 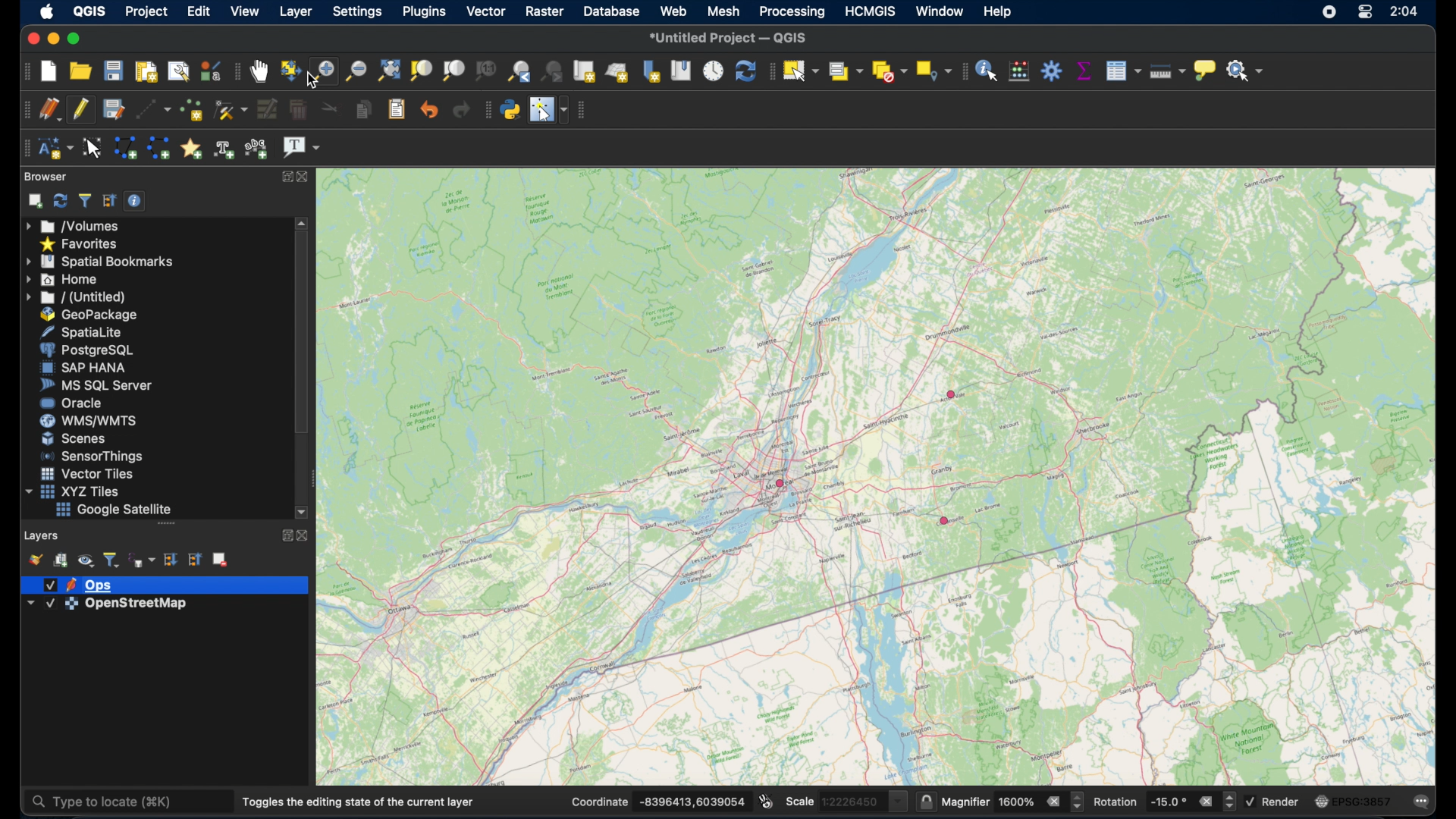 What do you see at coordinates (1205, 70) in the screenshot?
I see `show map tips` at bounding box center [1205, 70].